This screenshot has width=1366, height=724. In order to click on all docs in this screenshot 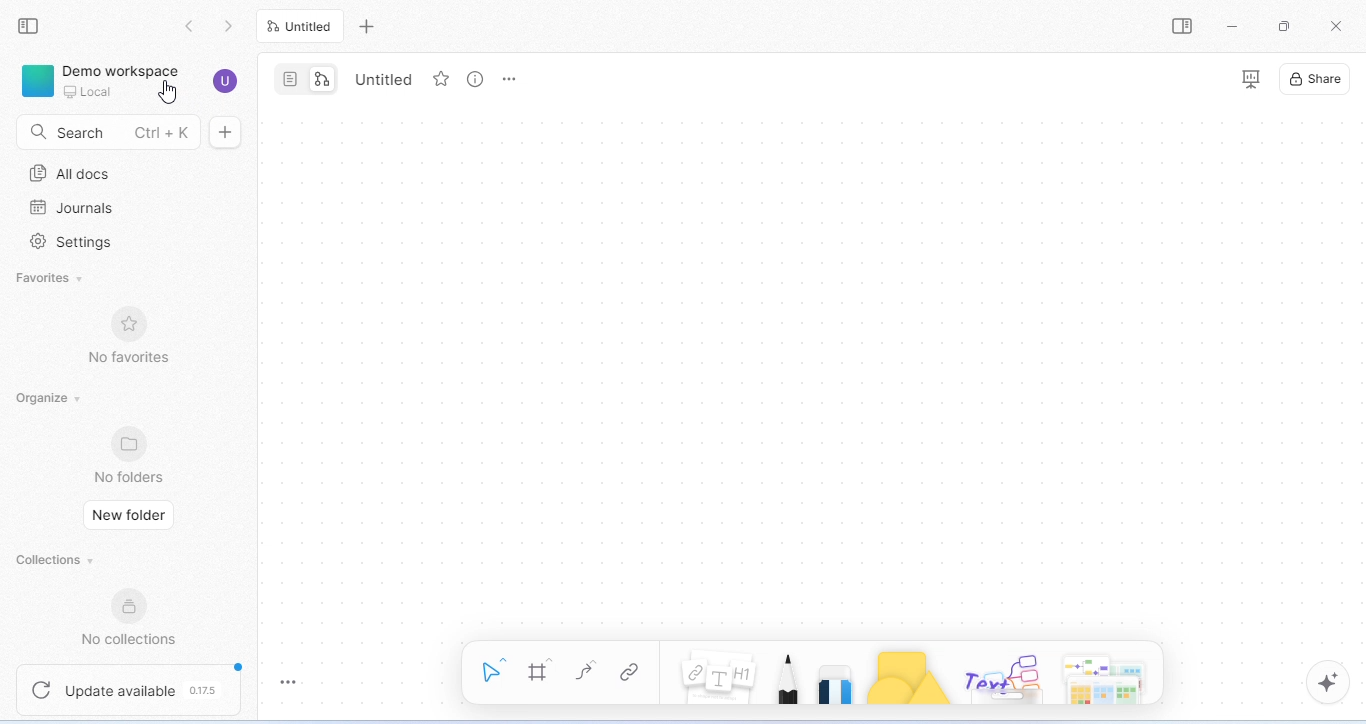, I will do `click(75, 174)`.